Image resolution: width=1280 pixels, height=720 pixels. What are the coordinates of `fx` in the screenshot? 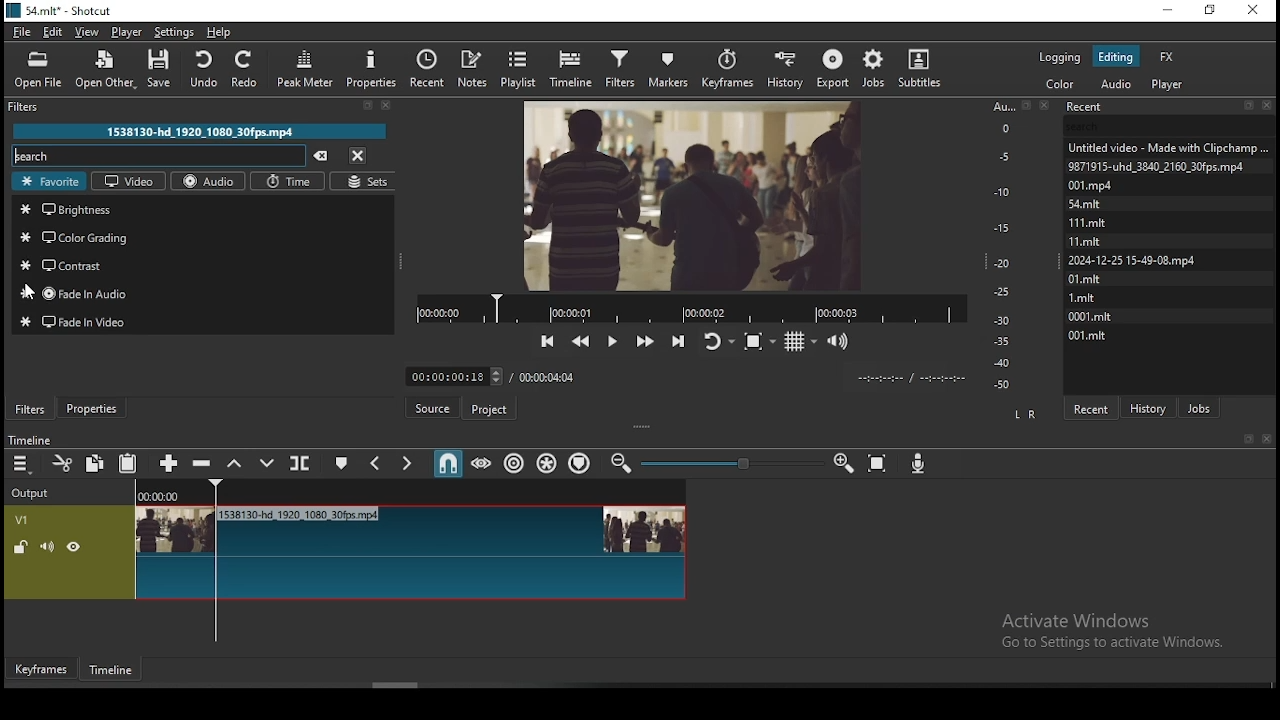 It's located at (1173, 56).